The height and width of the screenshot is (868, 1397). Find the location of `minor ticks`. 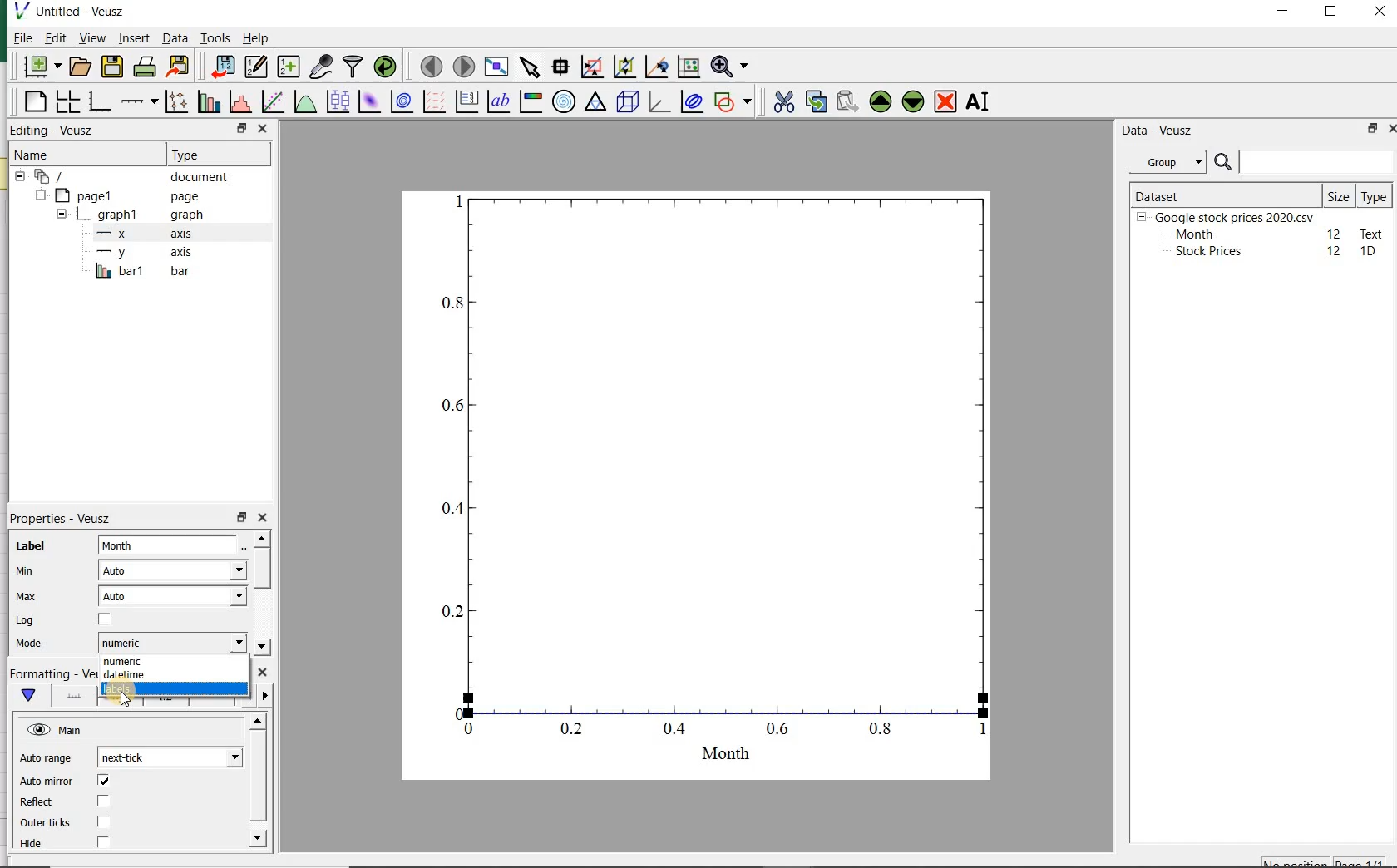

minor ticks is located at coordinates (255, 697).